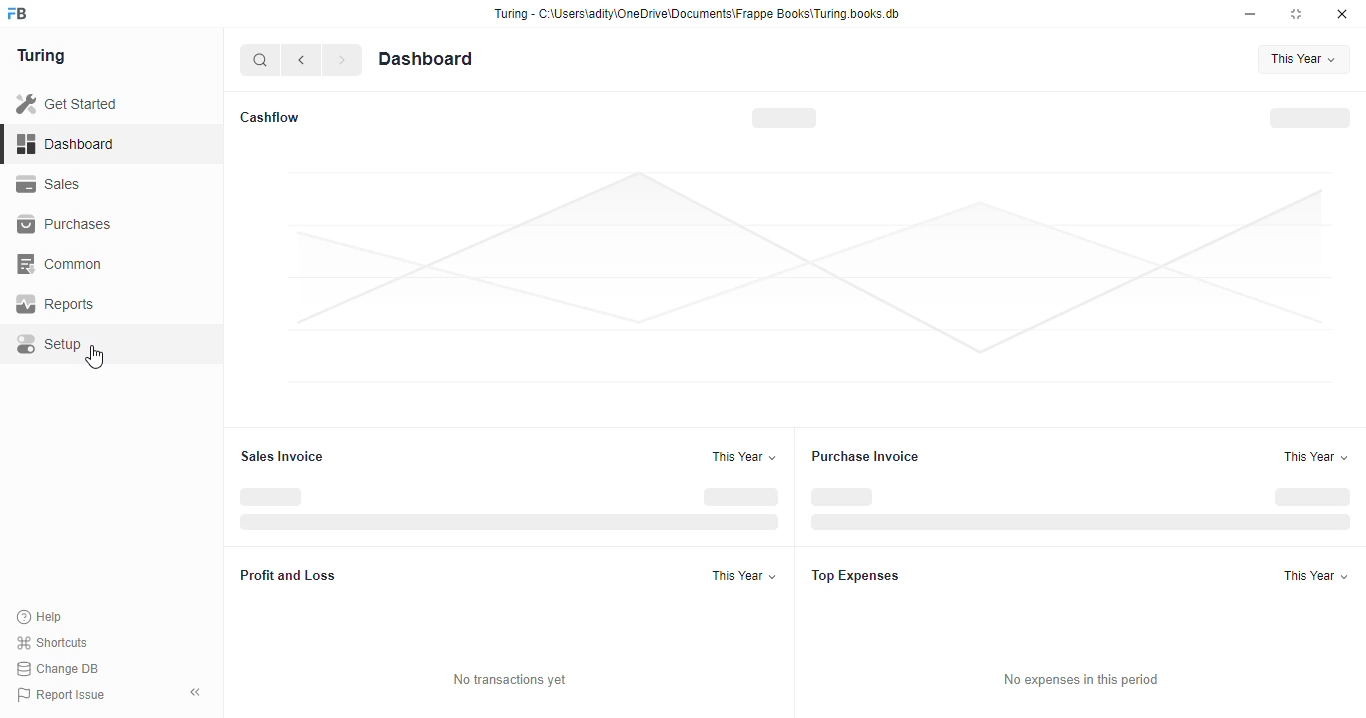 This screenshot has height=718, width=1366. I want to click on go back, so click(301, 58).